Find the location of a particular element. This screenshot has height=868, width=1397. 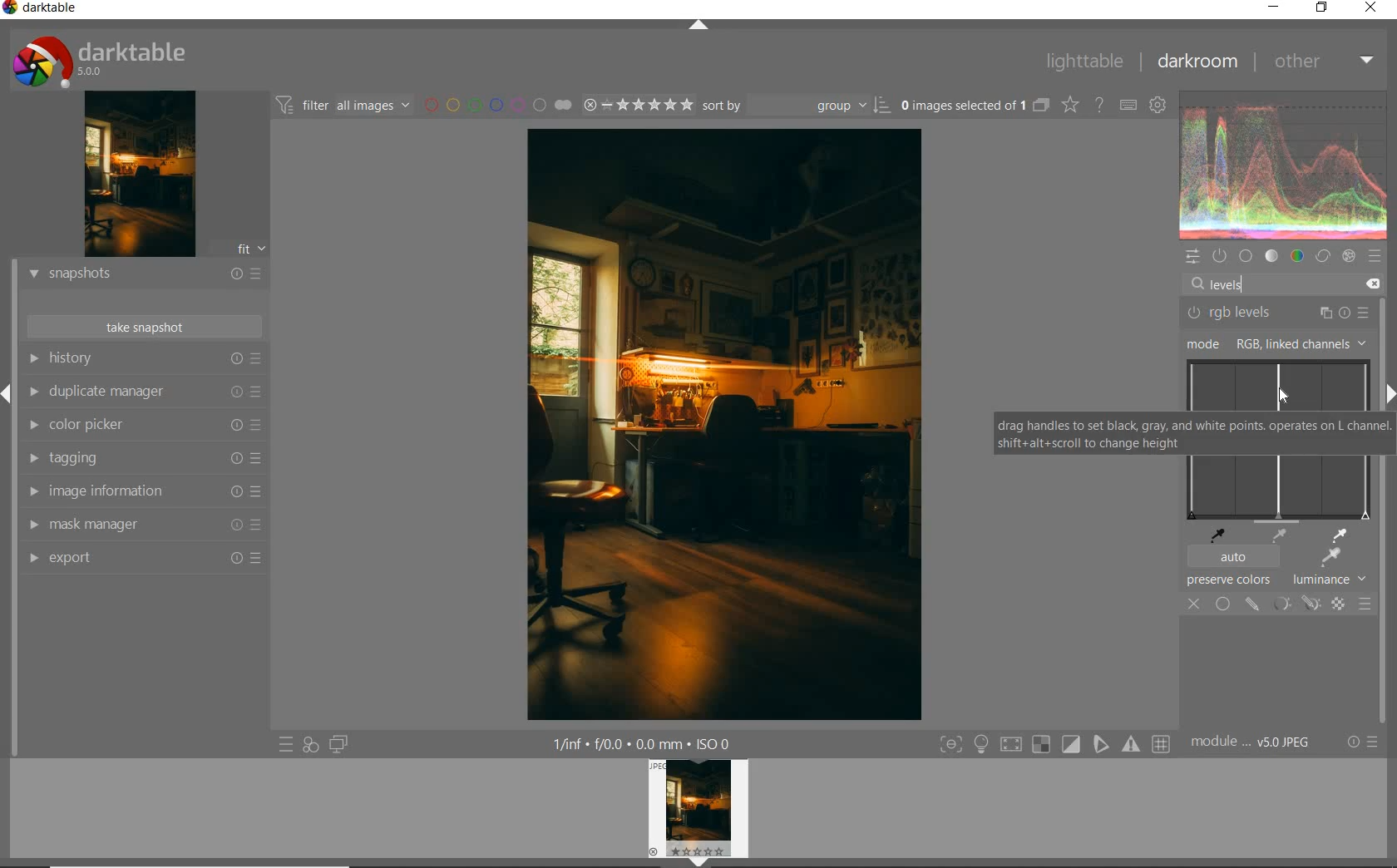

mask manager is located at coordinates (143, 525).